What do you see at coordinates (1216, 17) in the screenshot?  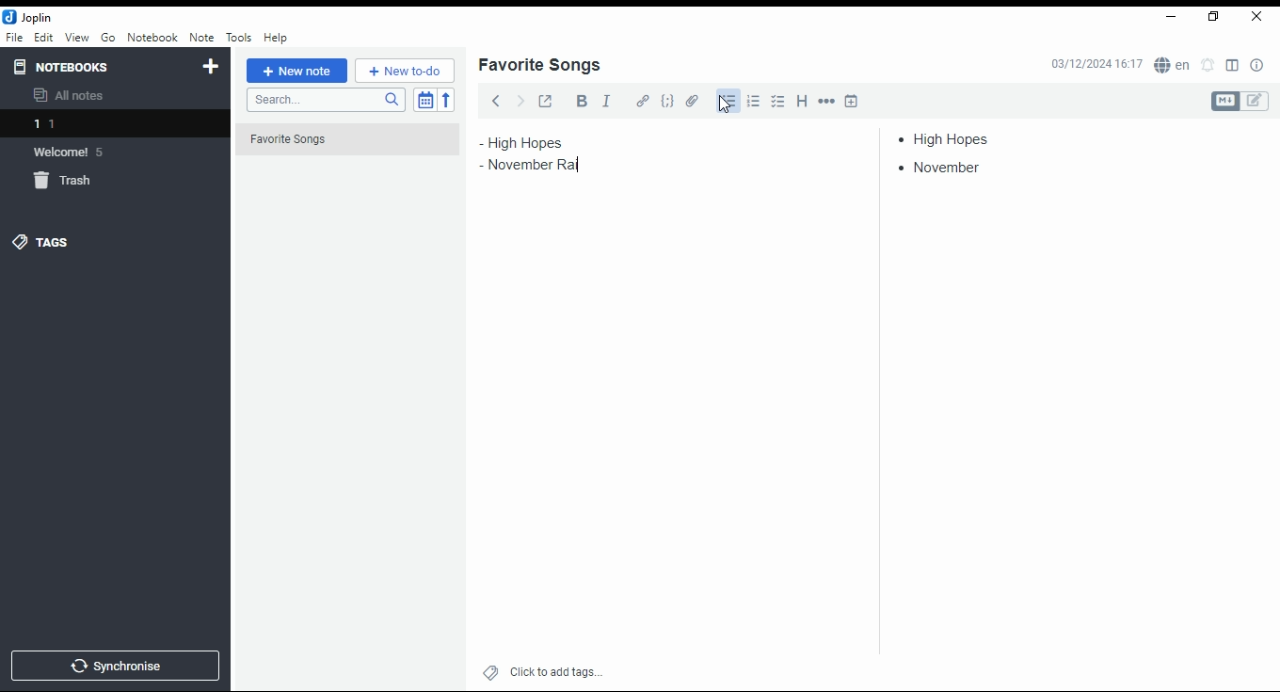 I see `restore` at bounding box center [1216, 17].